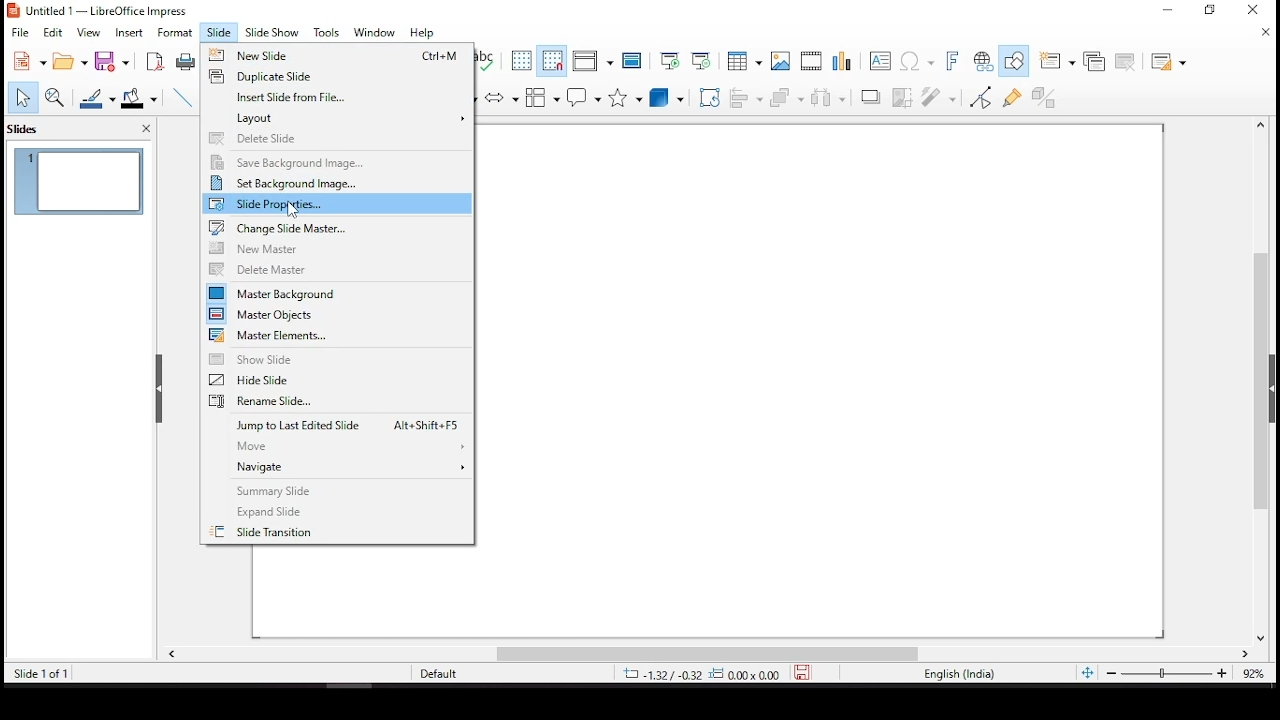 Image resolution: width=1280 pixels, height=720 pixels. Describe the element at coordinates (337, 314) in the screenshot. I see `master objects` at that location.